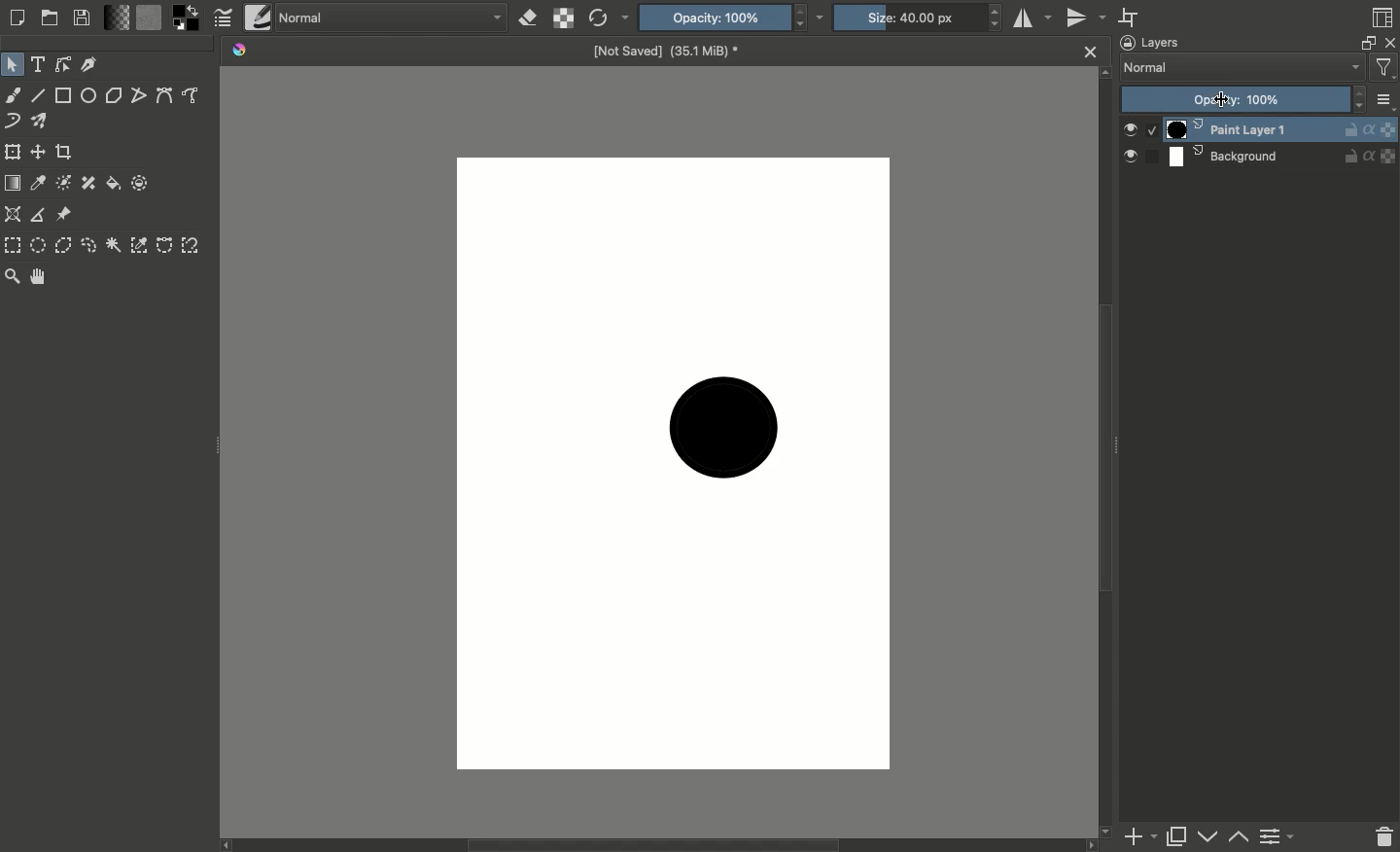 The height and width of the screenshot is (852, 1400). Describe the element at coordinates (1369, 42) in the screenshot. I see `Float docker` at that location.